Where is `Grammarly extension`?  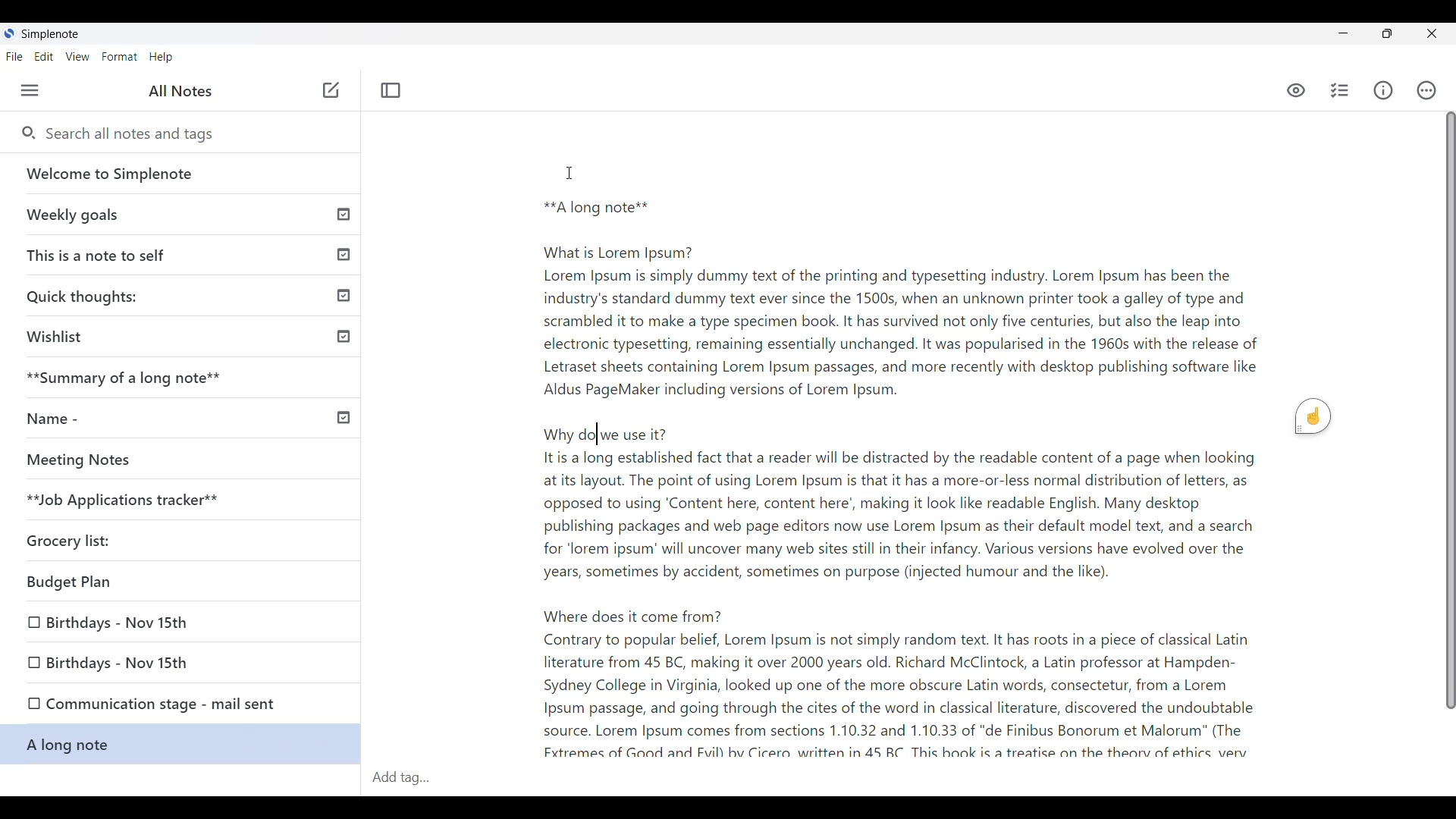 Grammarly extension is located at coordinates (1313, 415).